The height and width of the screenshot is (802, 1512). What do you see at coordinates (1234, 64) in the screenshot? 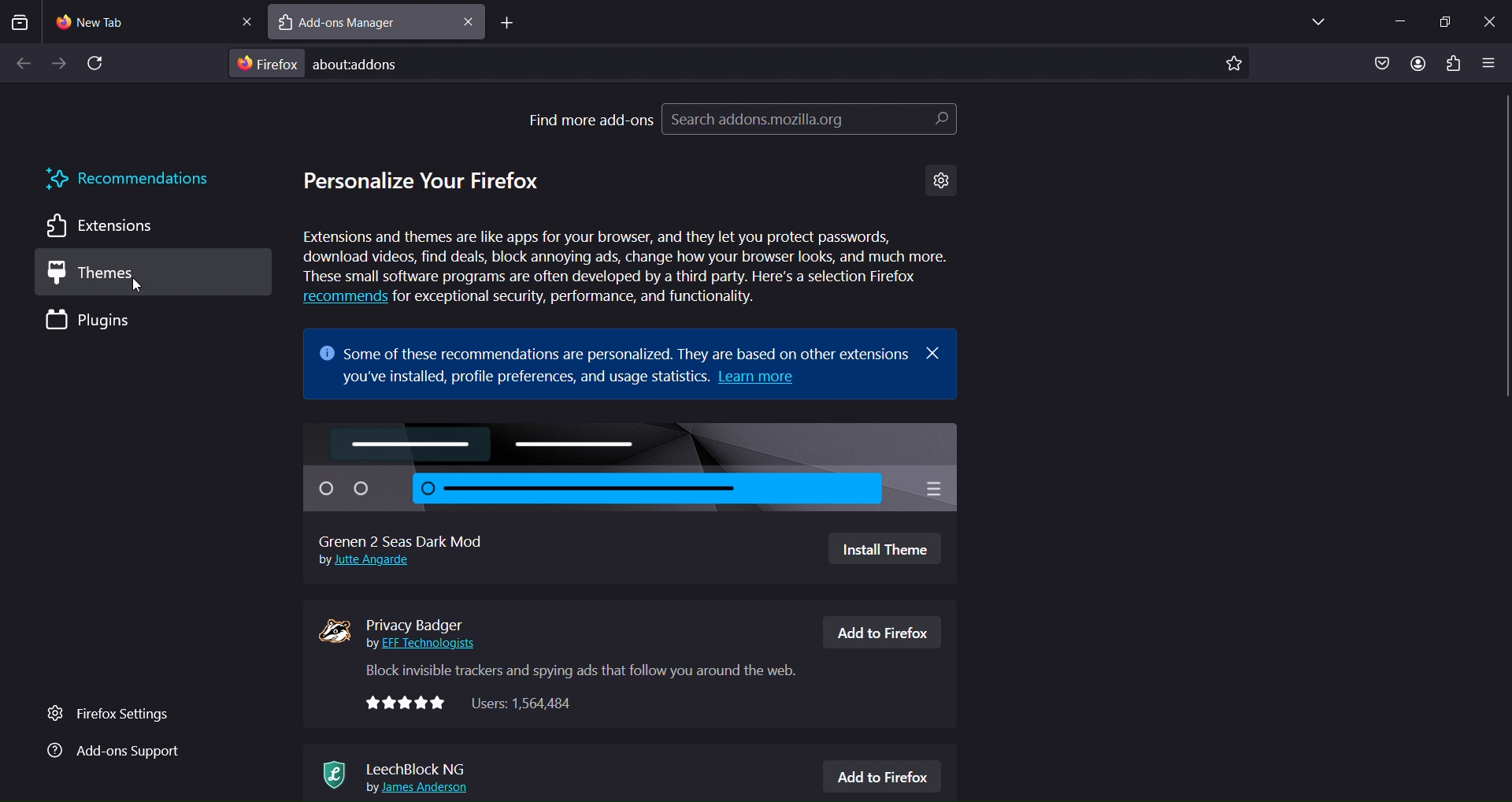
I see `bookmark page` at bounding box center [1234, 64].